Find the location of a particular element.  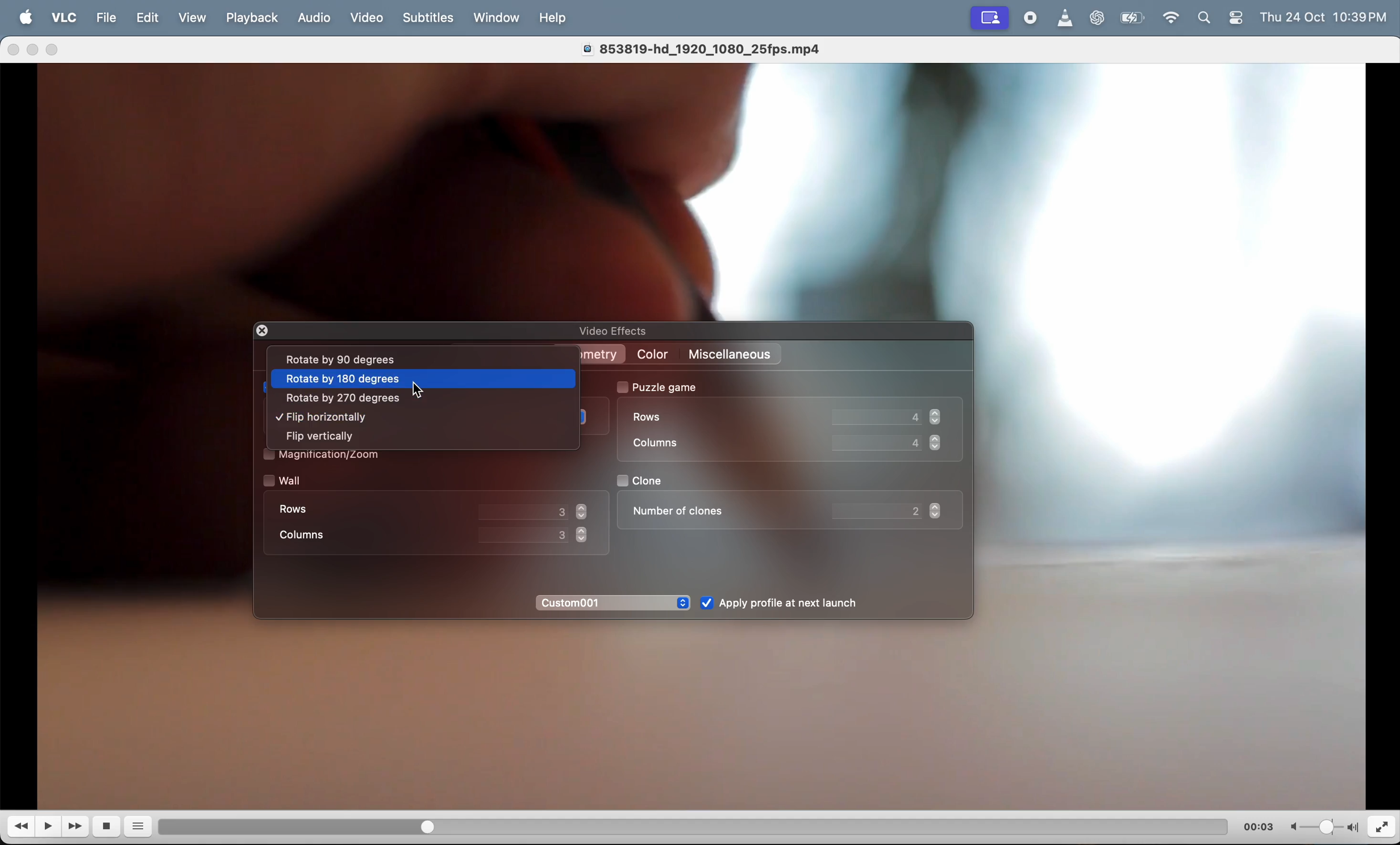

battery is located at coordinates (1132, 19).